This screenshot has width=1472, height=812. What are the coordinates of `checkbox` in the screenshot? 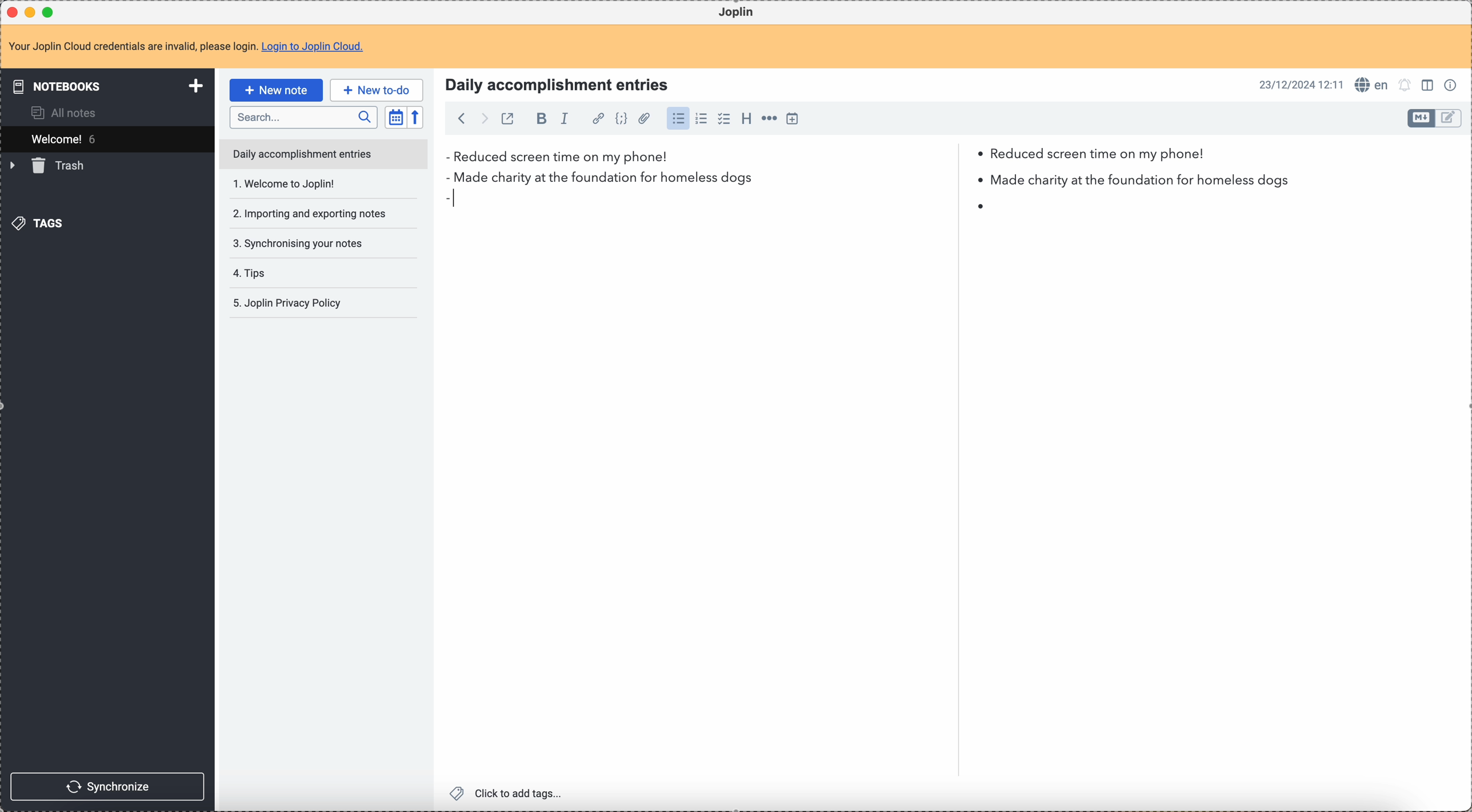 It's located at (725, 119).